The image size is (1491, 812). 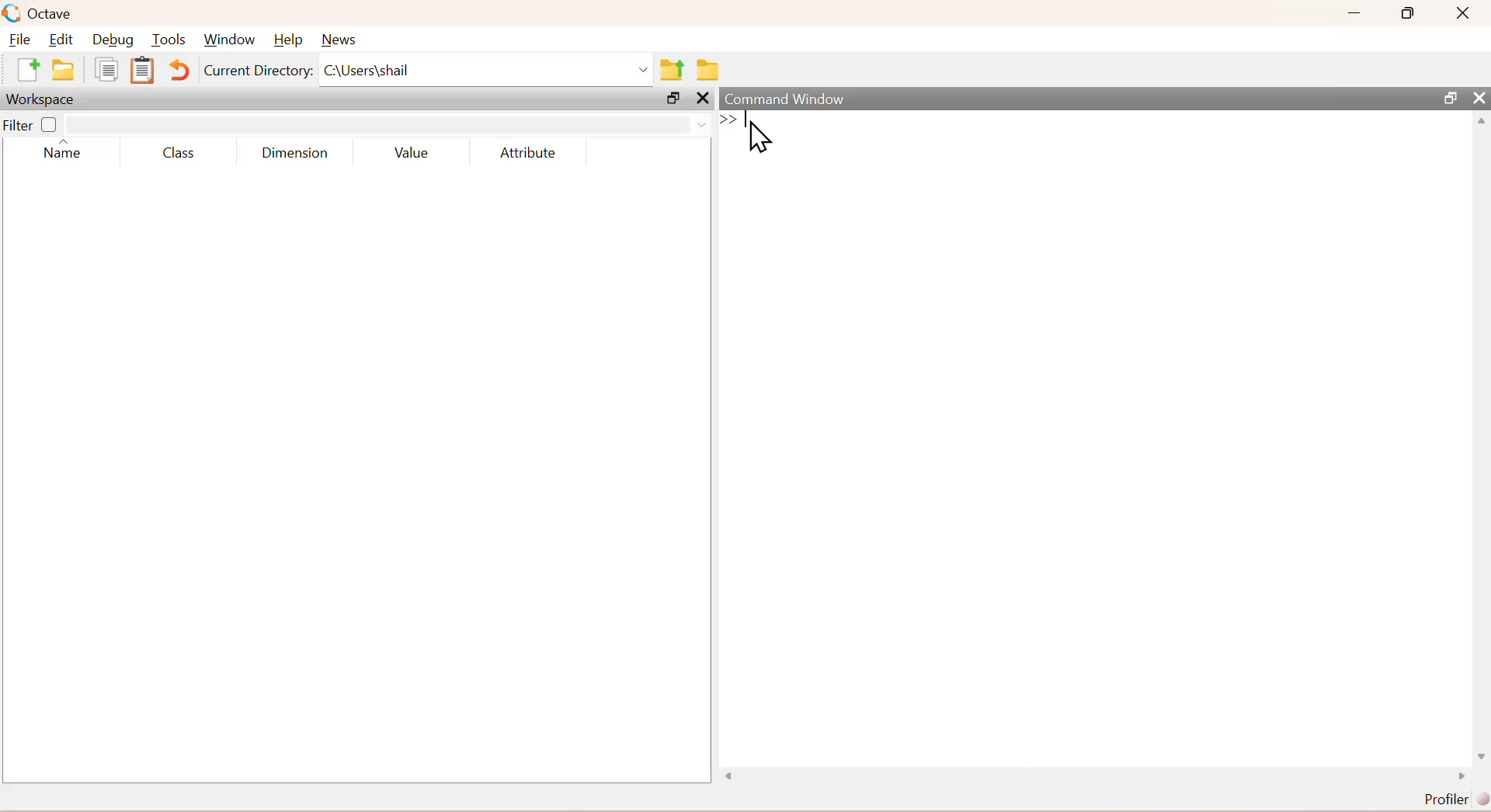 What do you see at coordinates (756, 134) in the screenshot?
I see `Cursor` at bounding box center [756, 134].